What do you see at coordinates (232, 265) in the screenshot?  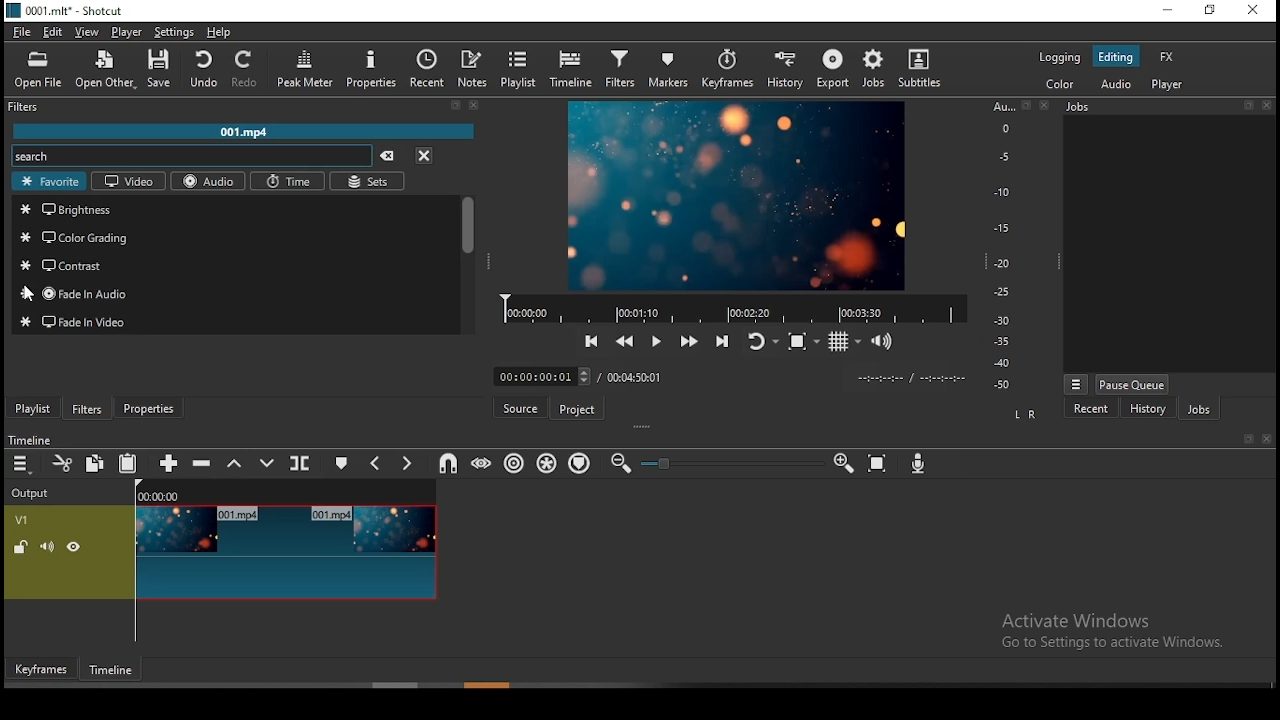 I see `contrast` at bounding box center [232, 265].